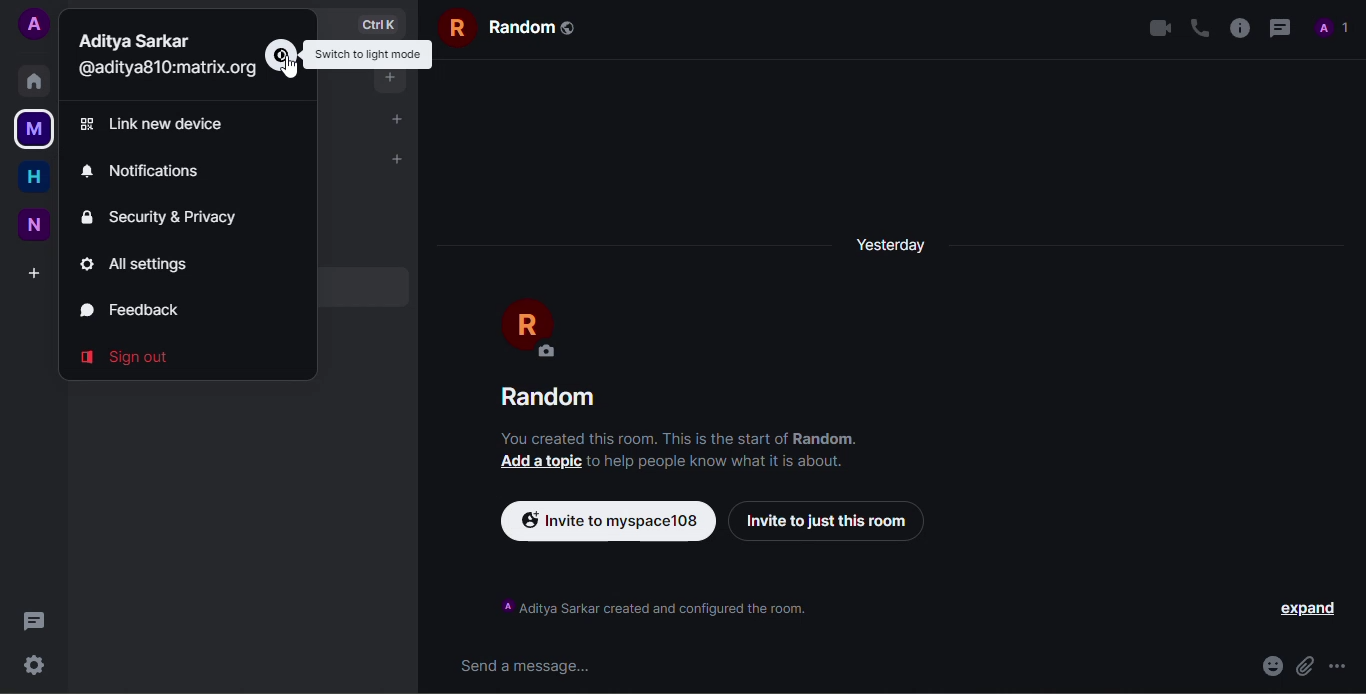 The height and width of the screenshot is (694, 1366). Describe the element at coordinates (143, 173) in the screenshot. I see `notifications` at that location.